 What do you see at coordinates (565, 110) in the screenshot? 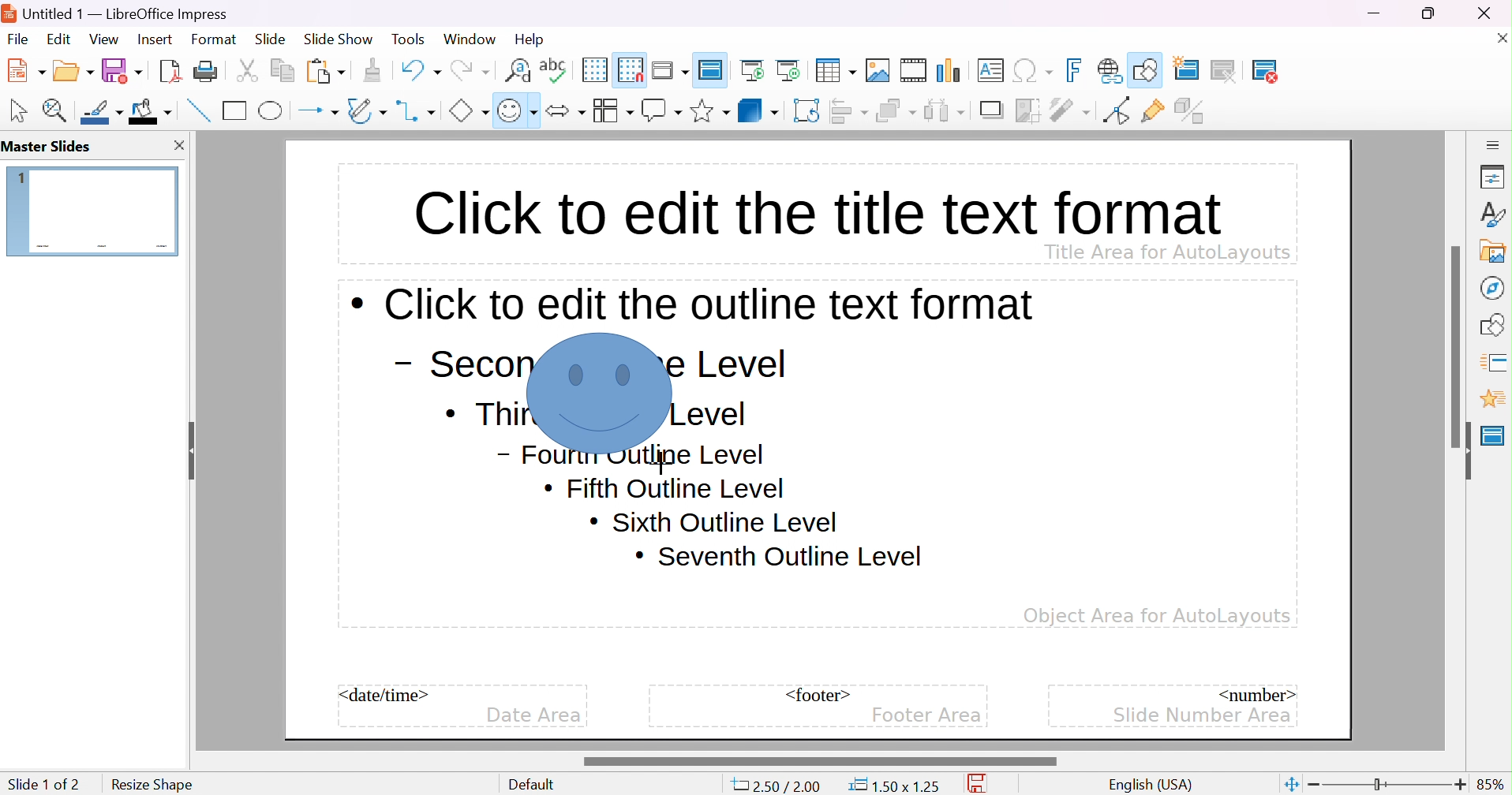
I see `block arrows` at bounding box center [565, 110].